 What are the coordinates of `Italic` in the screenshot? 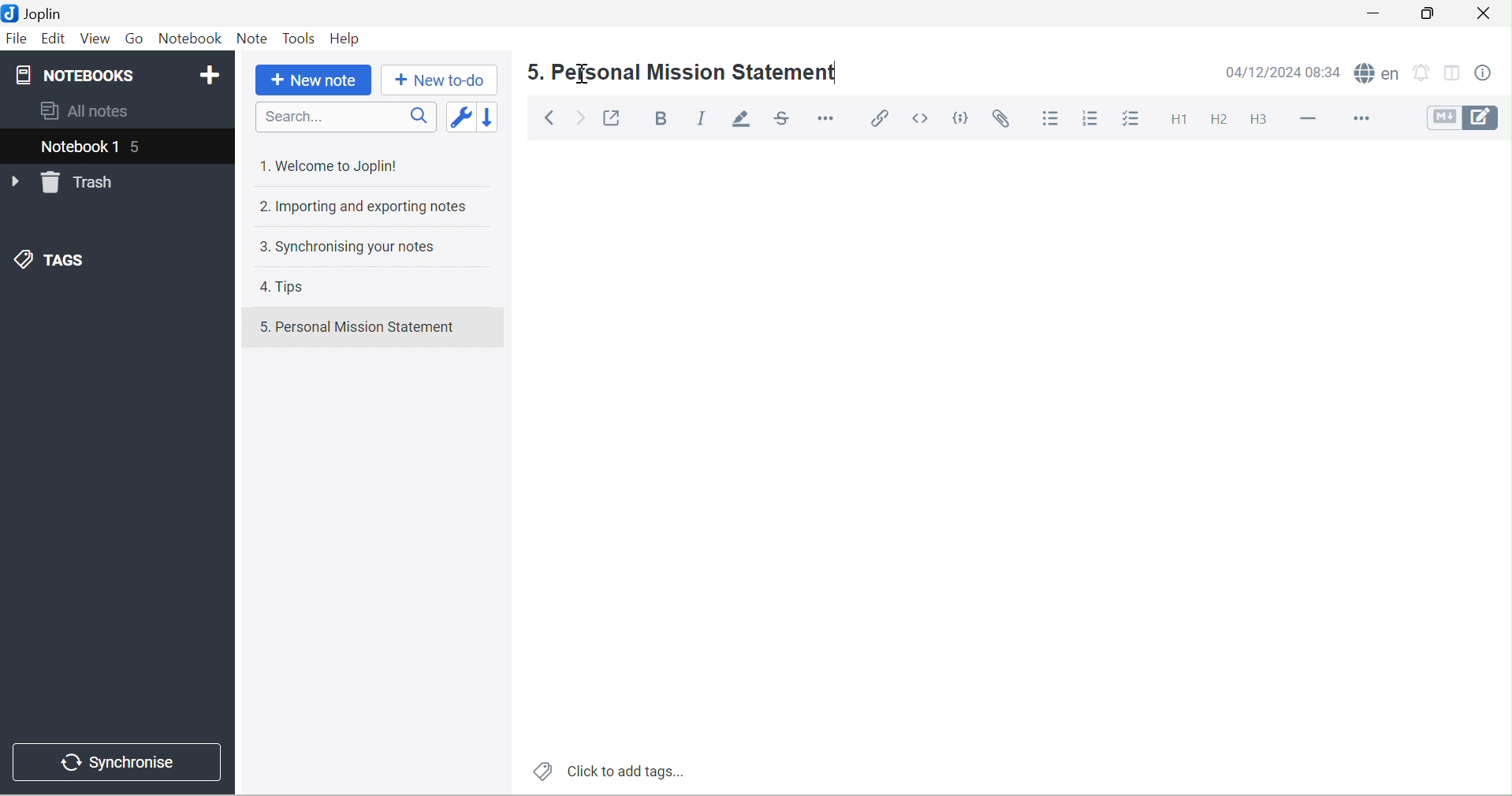 It's located at (705, 117).